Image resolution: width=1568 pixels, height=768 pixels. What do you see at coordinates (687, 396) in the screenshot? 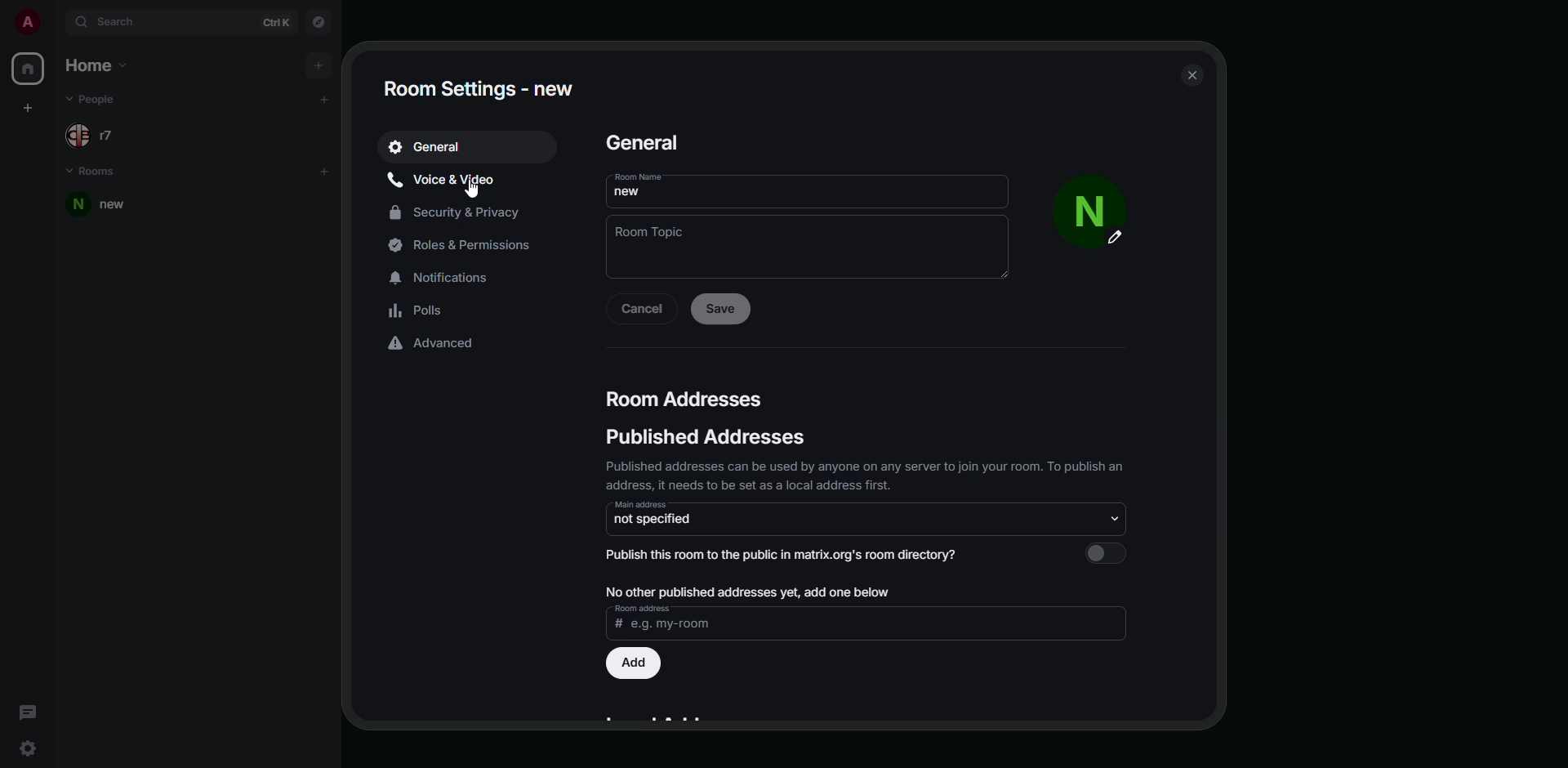
I see `room addresses` at bounding box center [687, 396].